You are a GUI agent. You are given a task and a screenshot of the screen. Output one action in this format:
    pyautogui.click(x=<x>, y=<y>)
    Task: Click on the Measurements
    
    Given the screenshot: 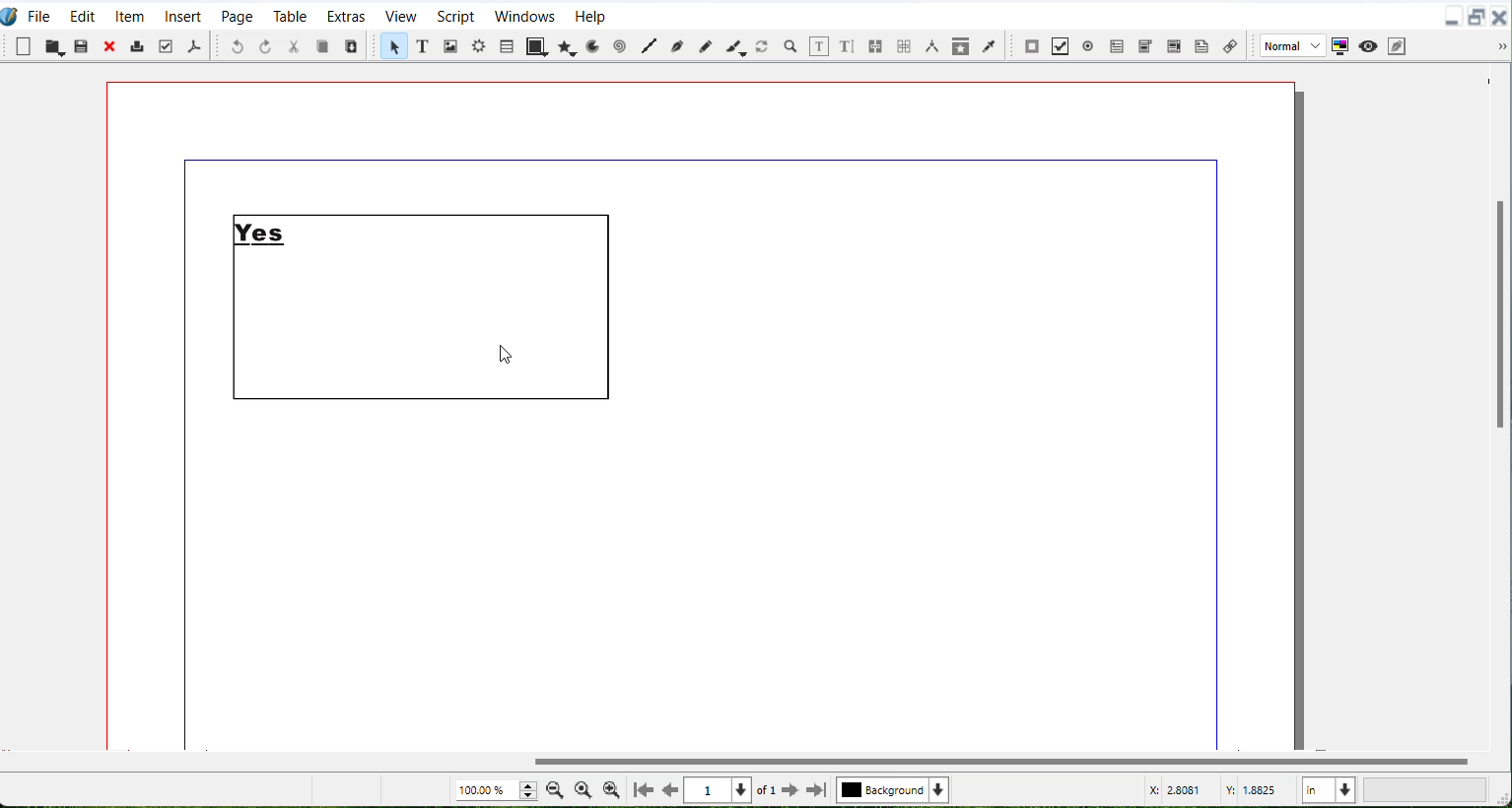 What is the action you would take?
    pyautogui.click(x=933, y=46)
    